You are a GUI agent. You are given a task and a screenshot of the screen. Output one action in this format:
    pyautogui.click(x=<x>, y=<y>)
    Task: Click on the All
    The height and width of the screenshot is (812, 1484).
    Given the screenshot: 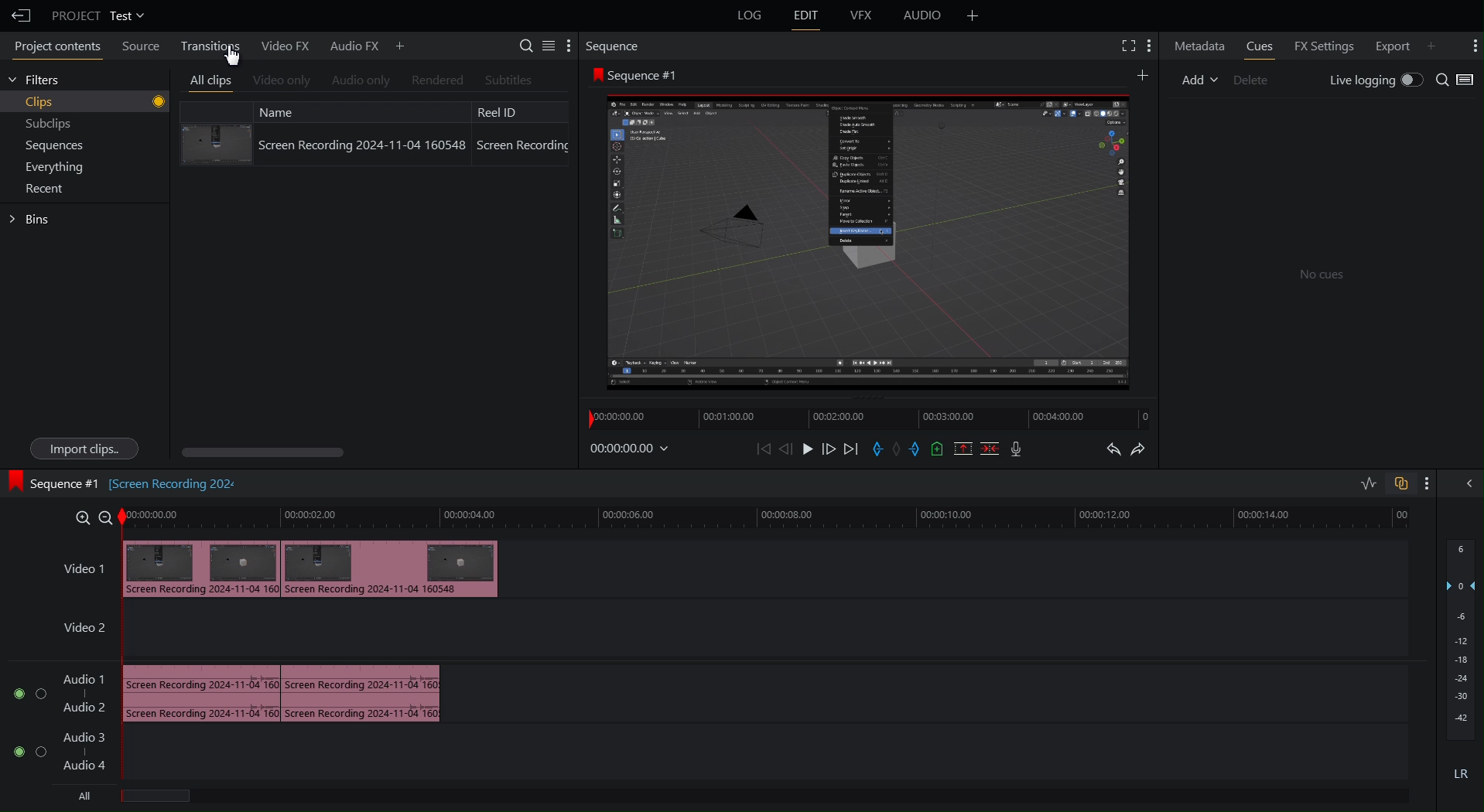 What is the action you would take?
    pyautogui.click(x=89, y=798)
    